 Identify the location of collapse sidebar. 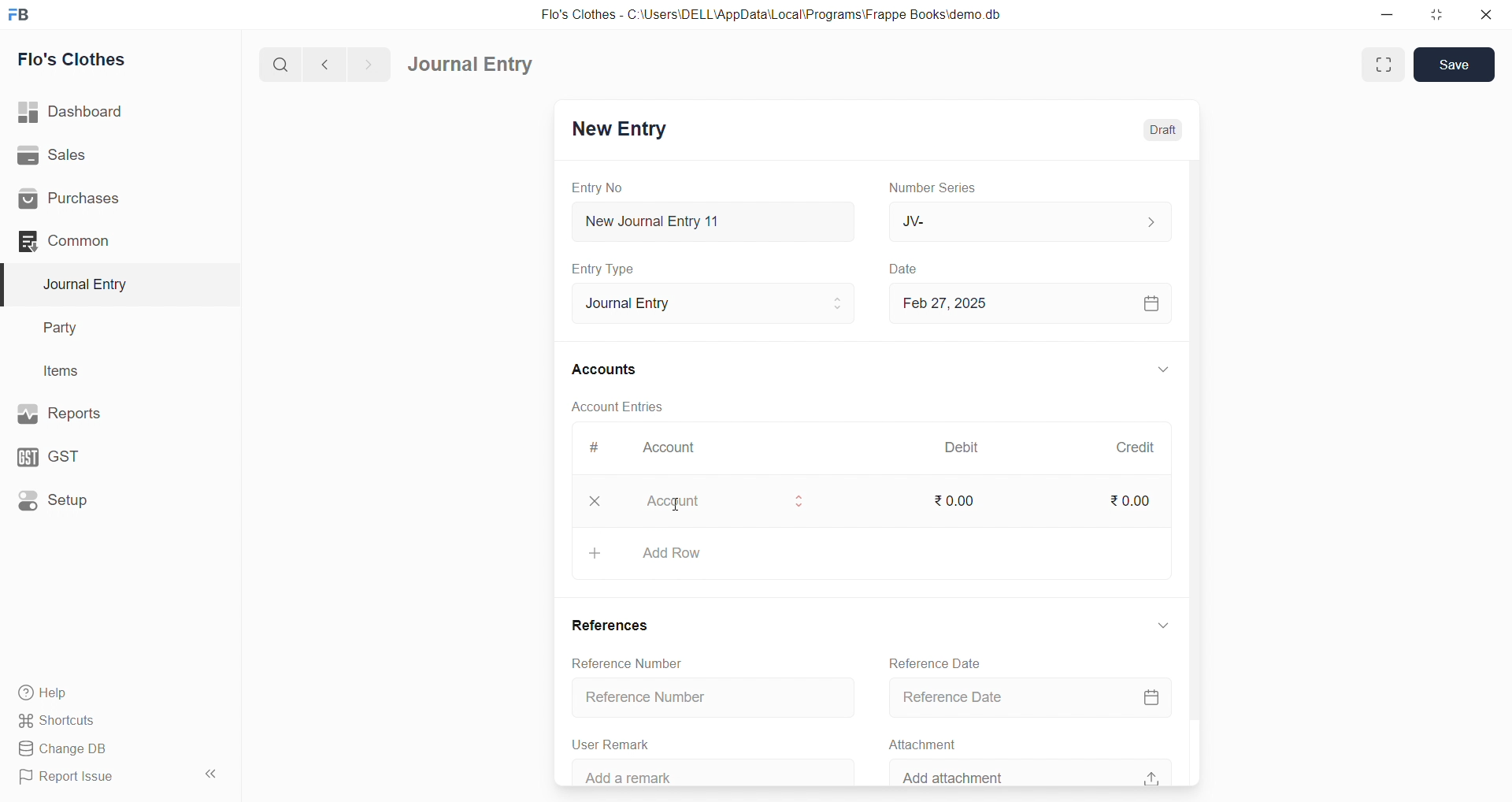
(213, 774).